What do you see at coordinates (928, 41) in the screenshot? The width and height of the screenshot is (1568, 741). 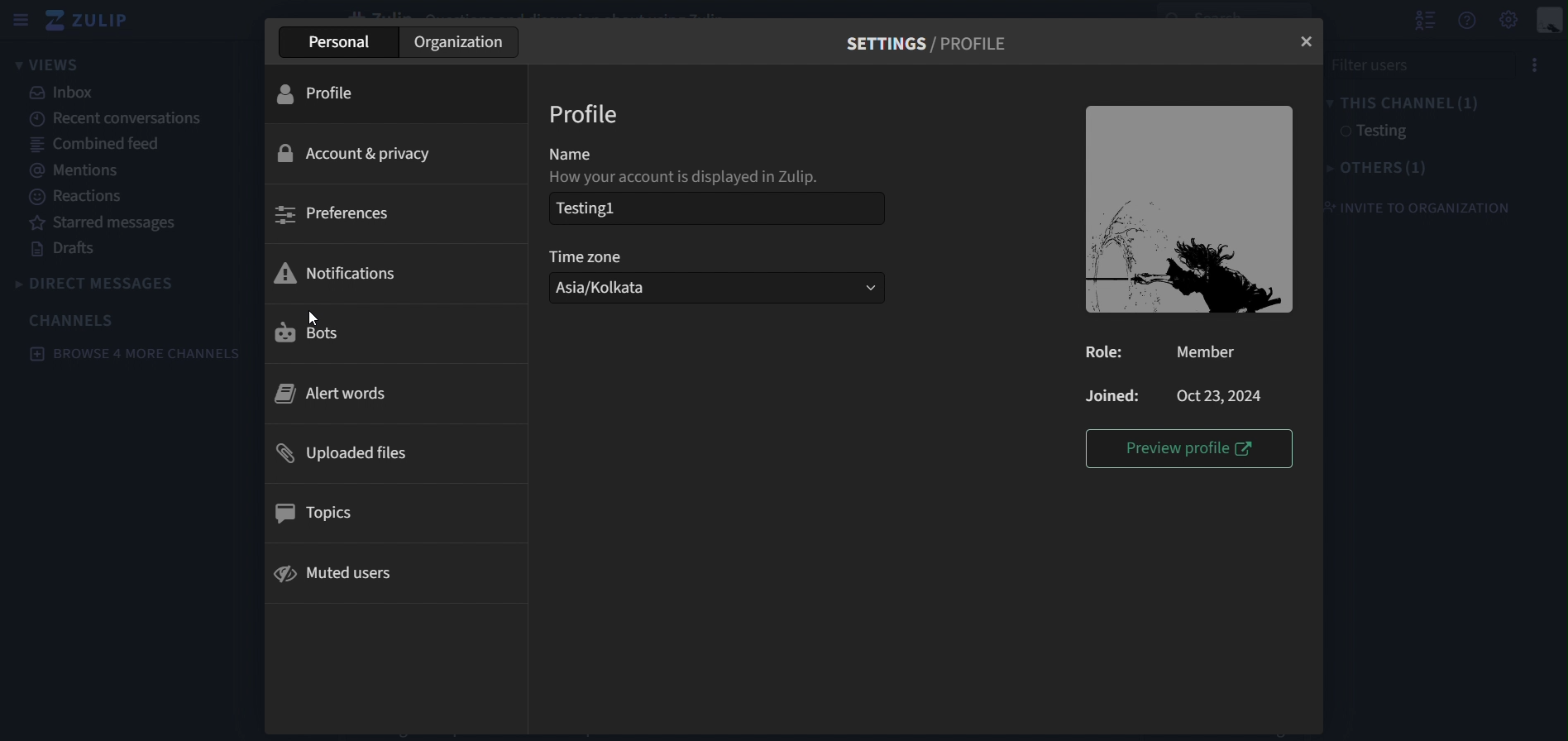 I see `settings` at bounding box center [928, 41].